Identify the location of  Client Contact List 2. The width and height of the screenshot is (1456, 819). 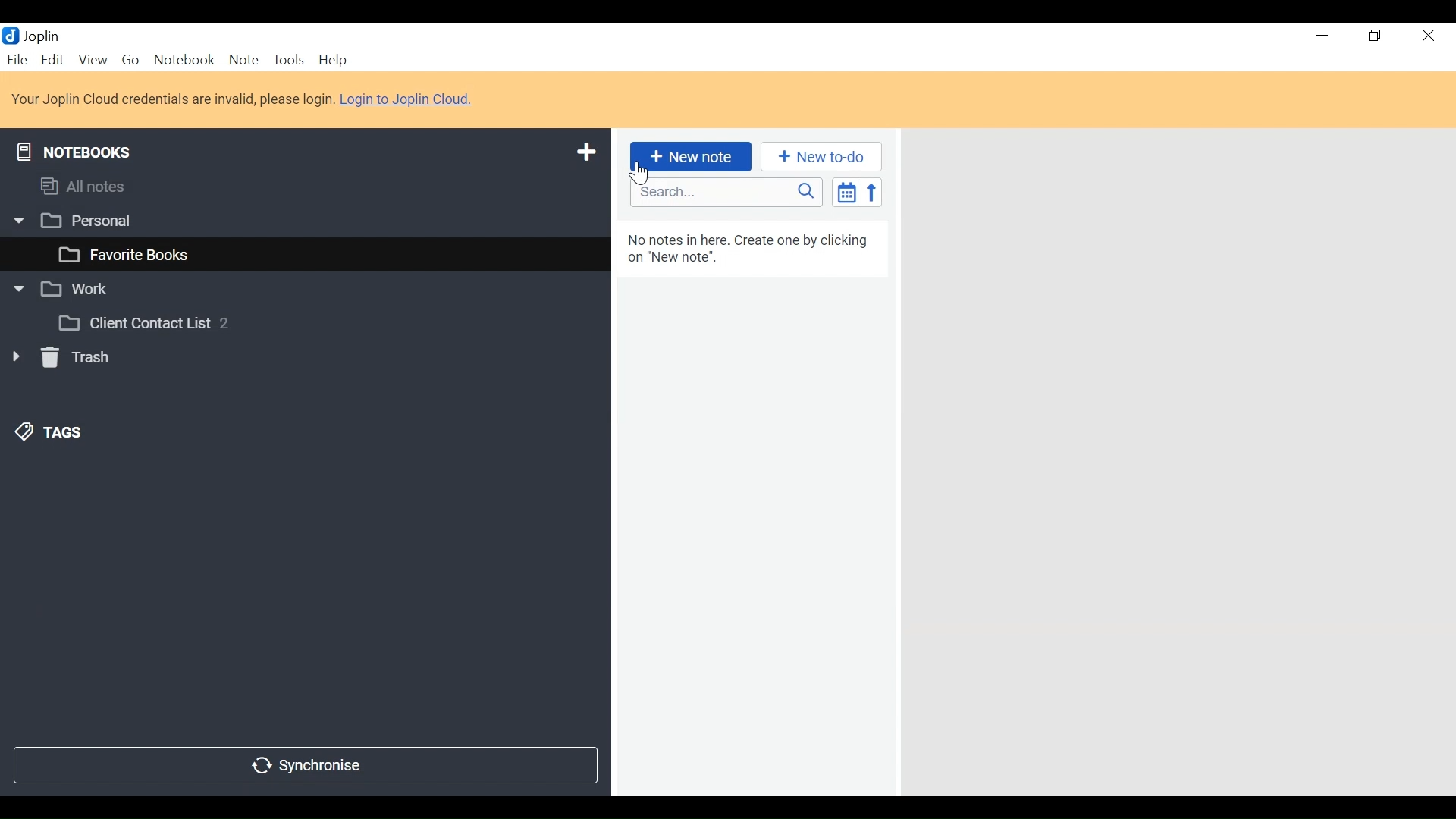
(141, 323).